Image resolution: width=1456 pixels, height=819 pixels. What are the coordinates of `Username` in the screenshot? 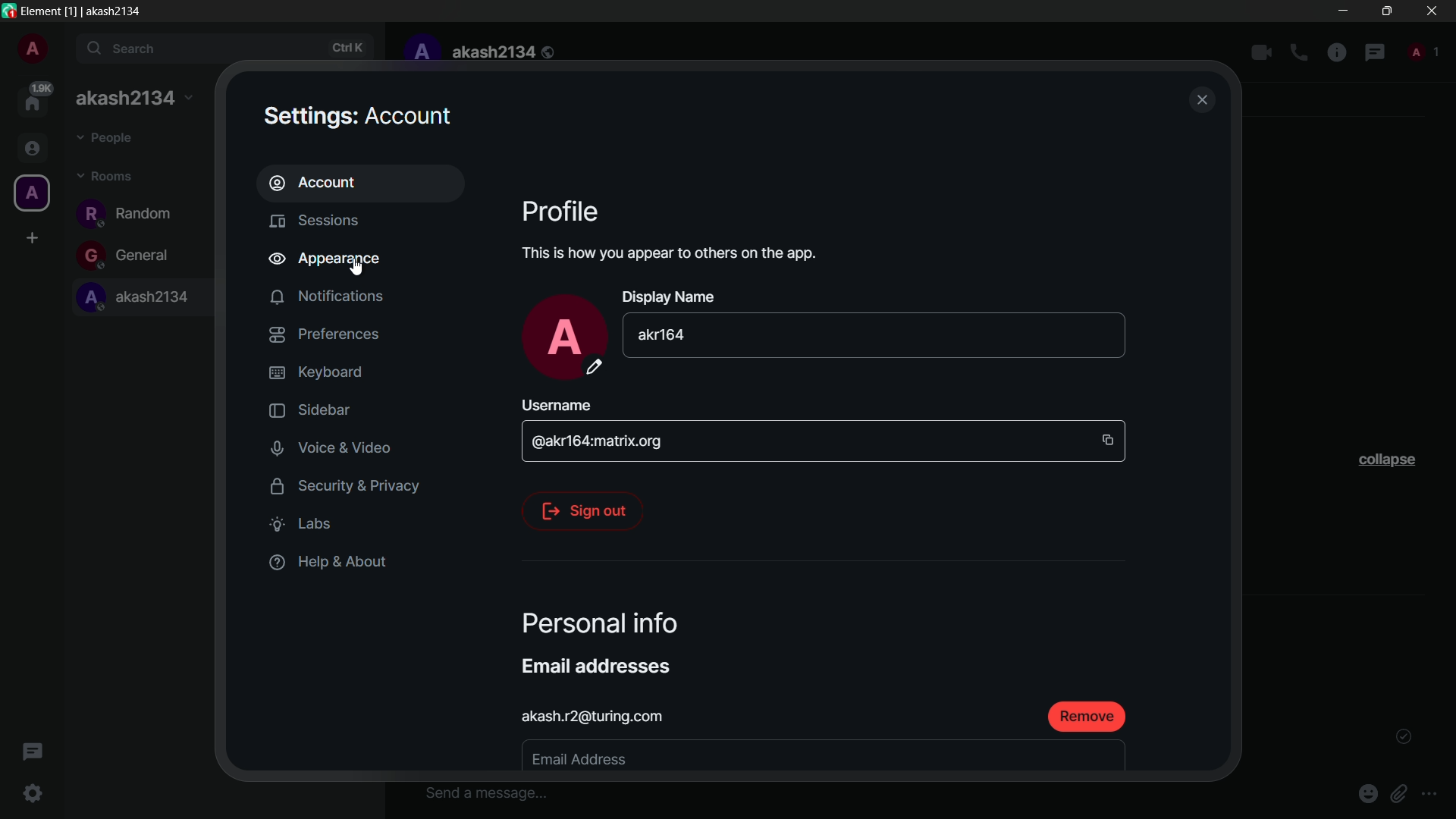 It's located at (561, 404).